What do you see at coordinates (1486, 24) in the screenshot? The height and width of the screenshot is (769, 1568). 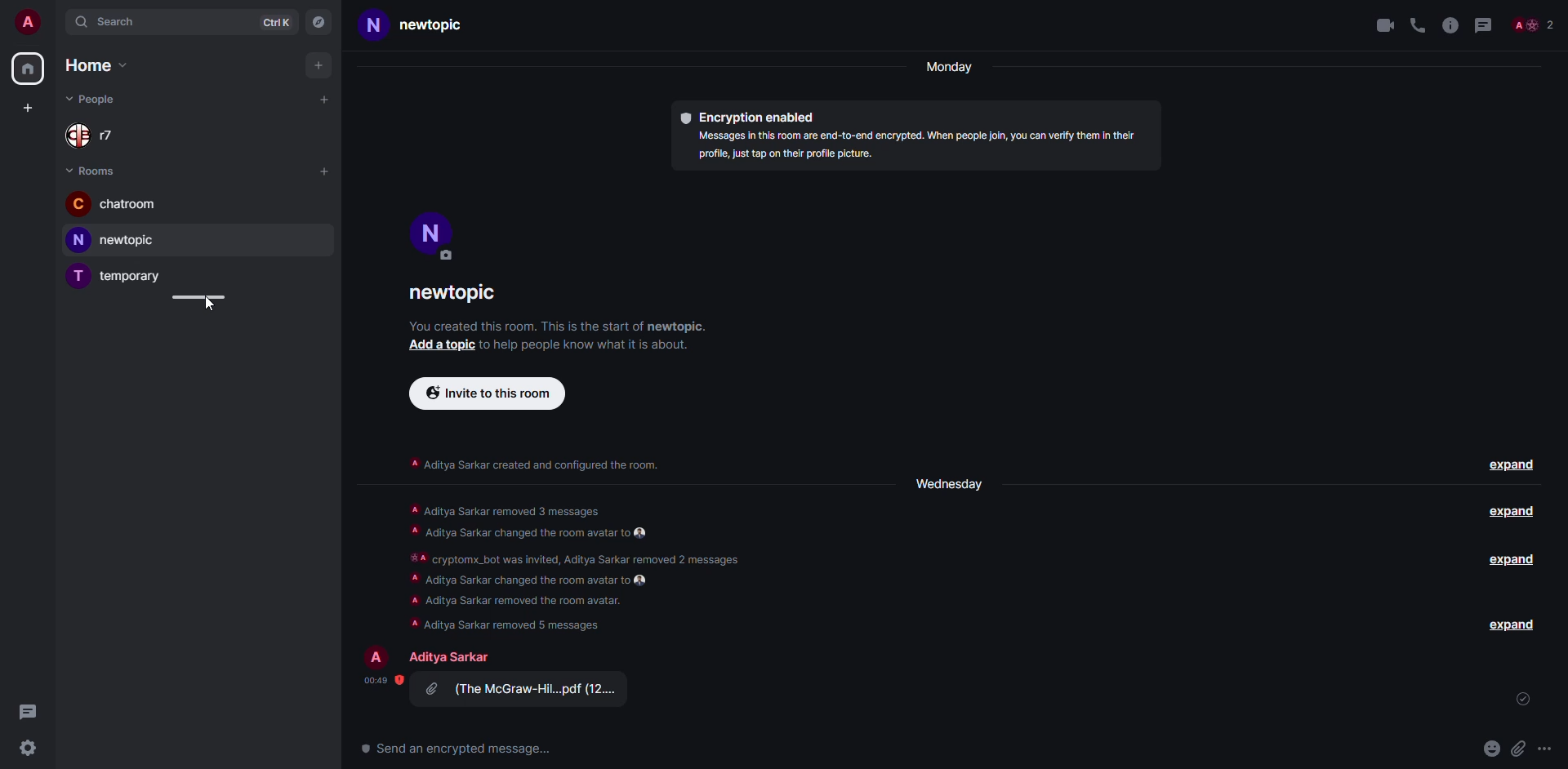 I see `threads` at bounding box center [1486, 24].